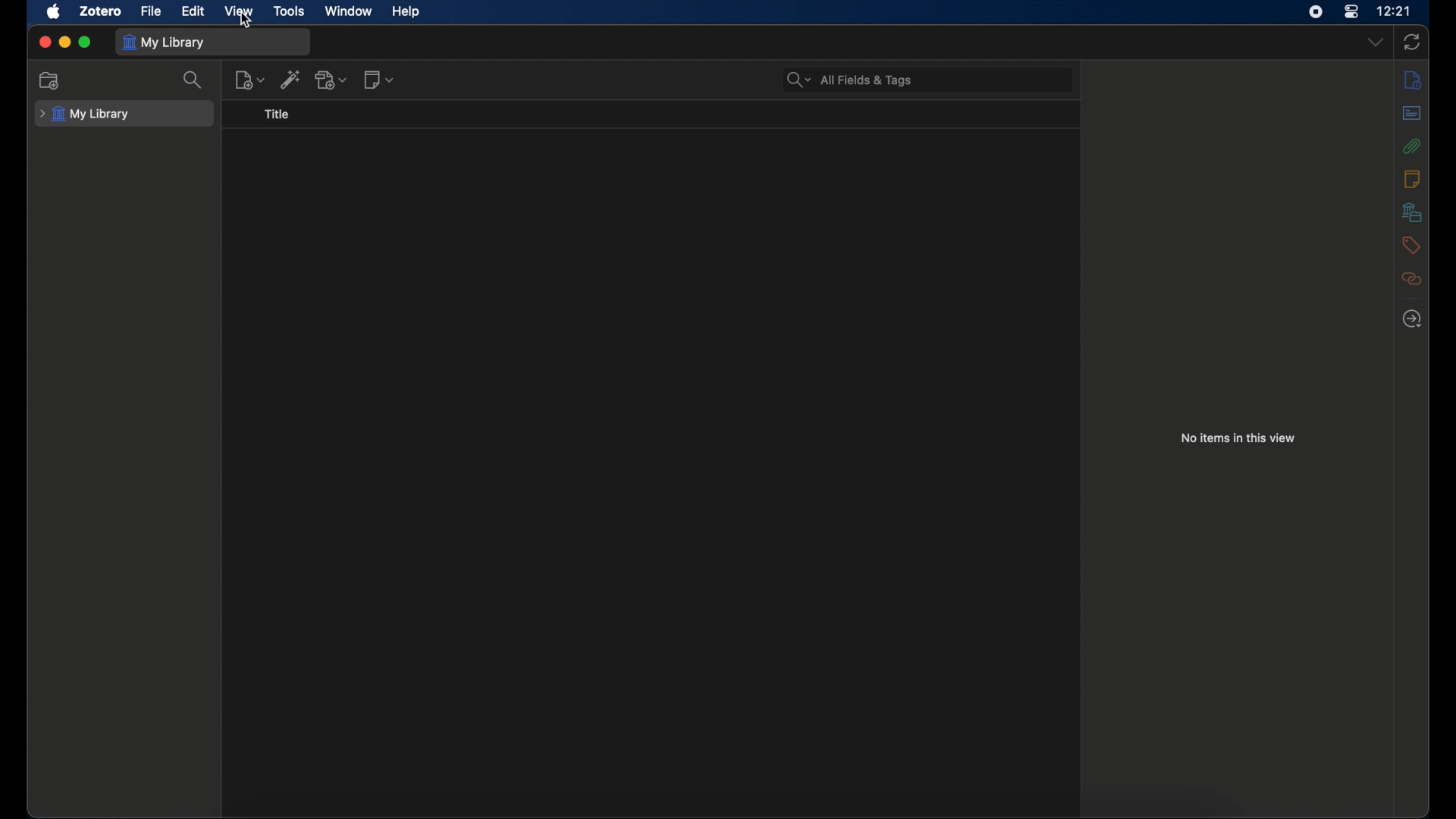 Image resolution: width=1456 pixels, height=819 pixels. Describe the element at coordinates (1377, 42) in the screenshot. I see `dropdown` at that location.